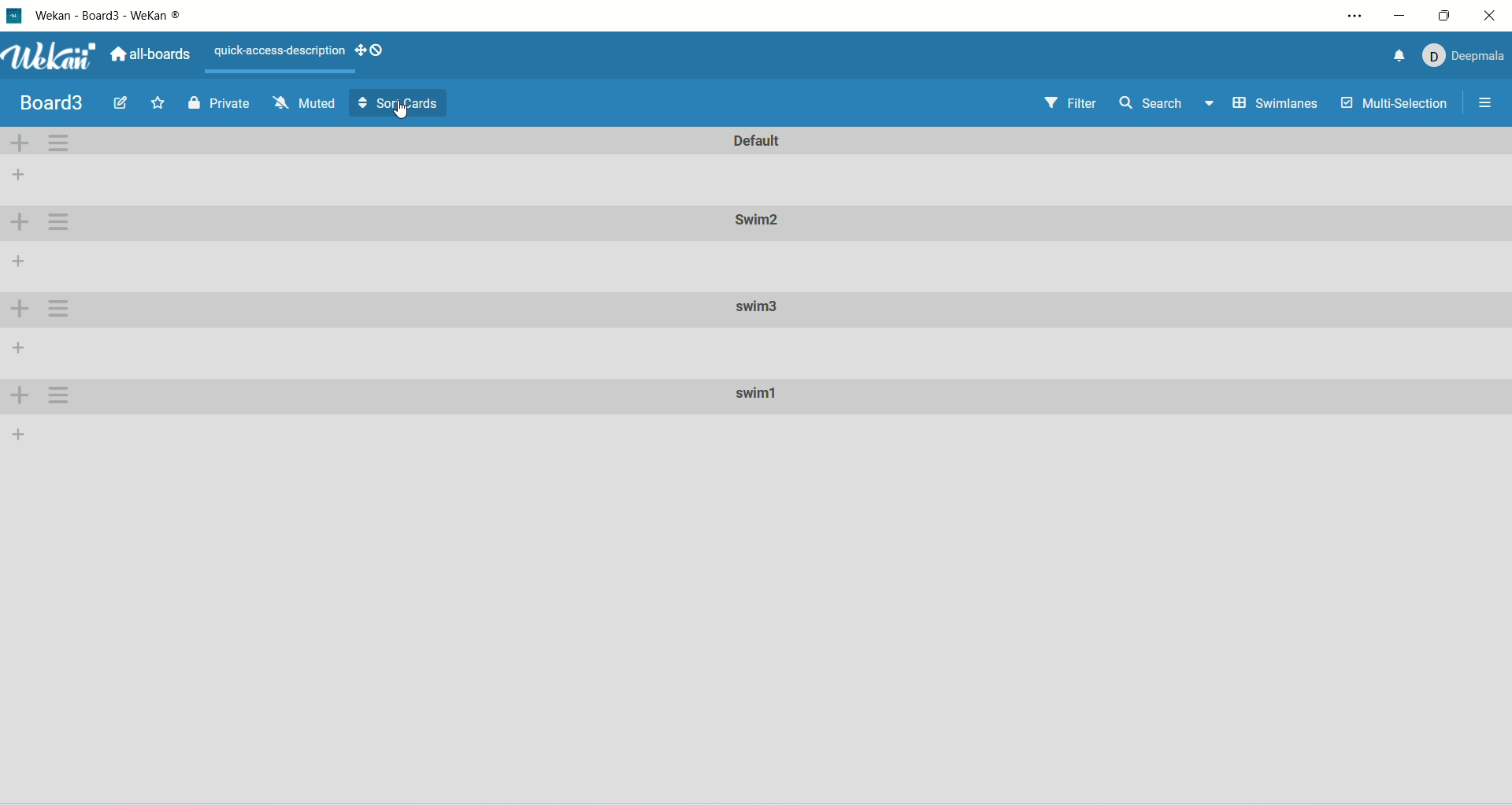  Describe the element at coordinates (58, 395) in the screenshot. I see `swimlane actions` at that location.